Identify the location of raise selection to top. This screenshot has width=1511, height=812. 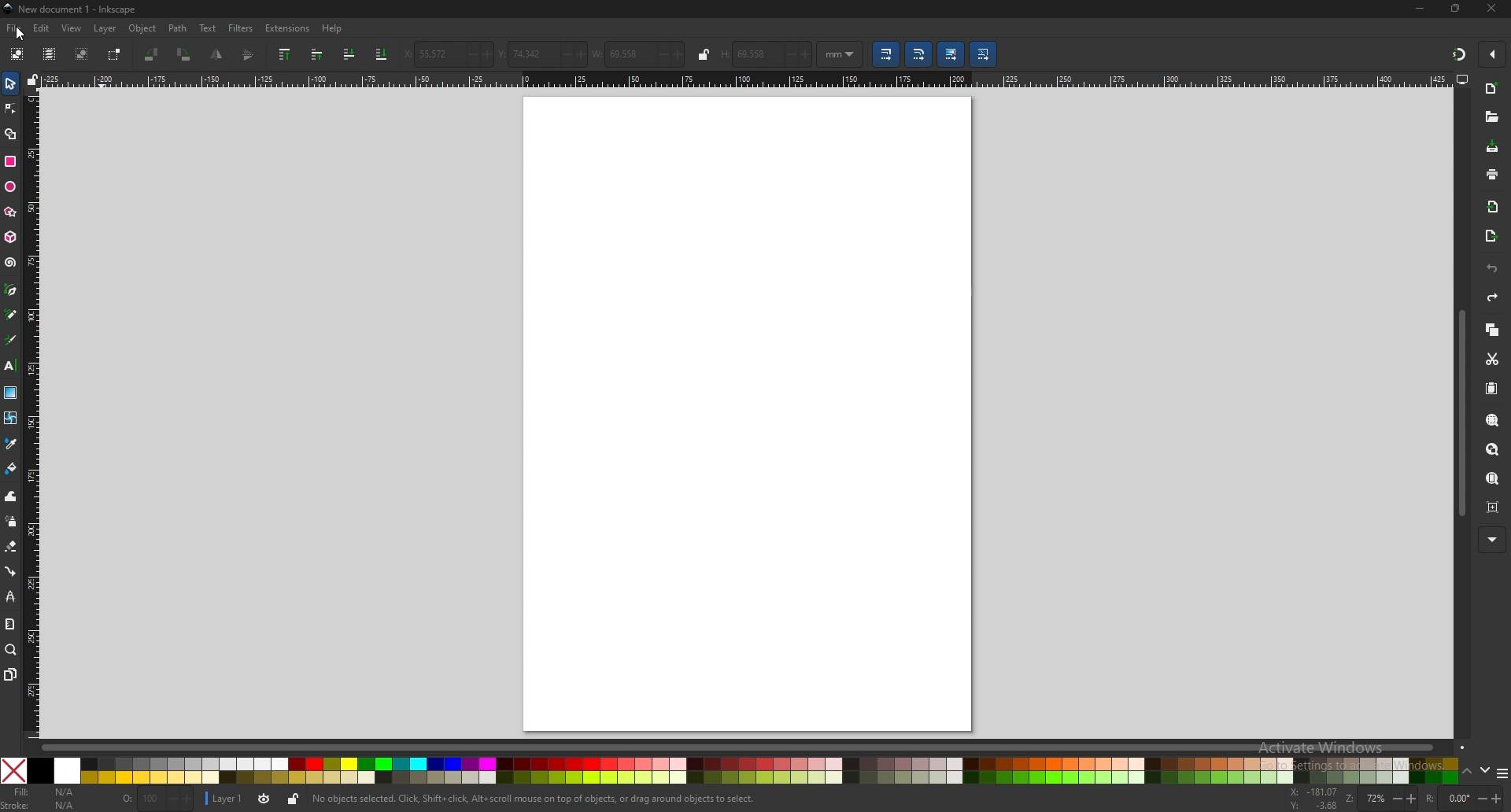
(285, 54).